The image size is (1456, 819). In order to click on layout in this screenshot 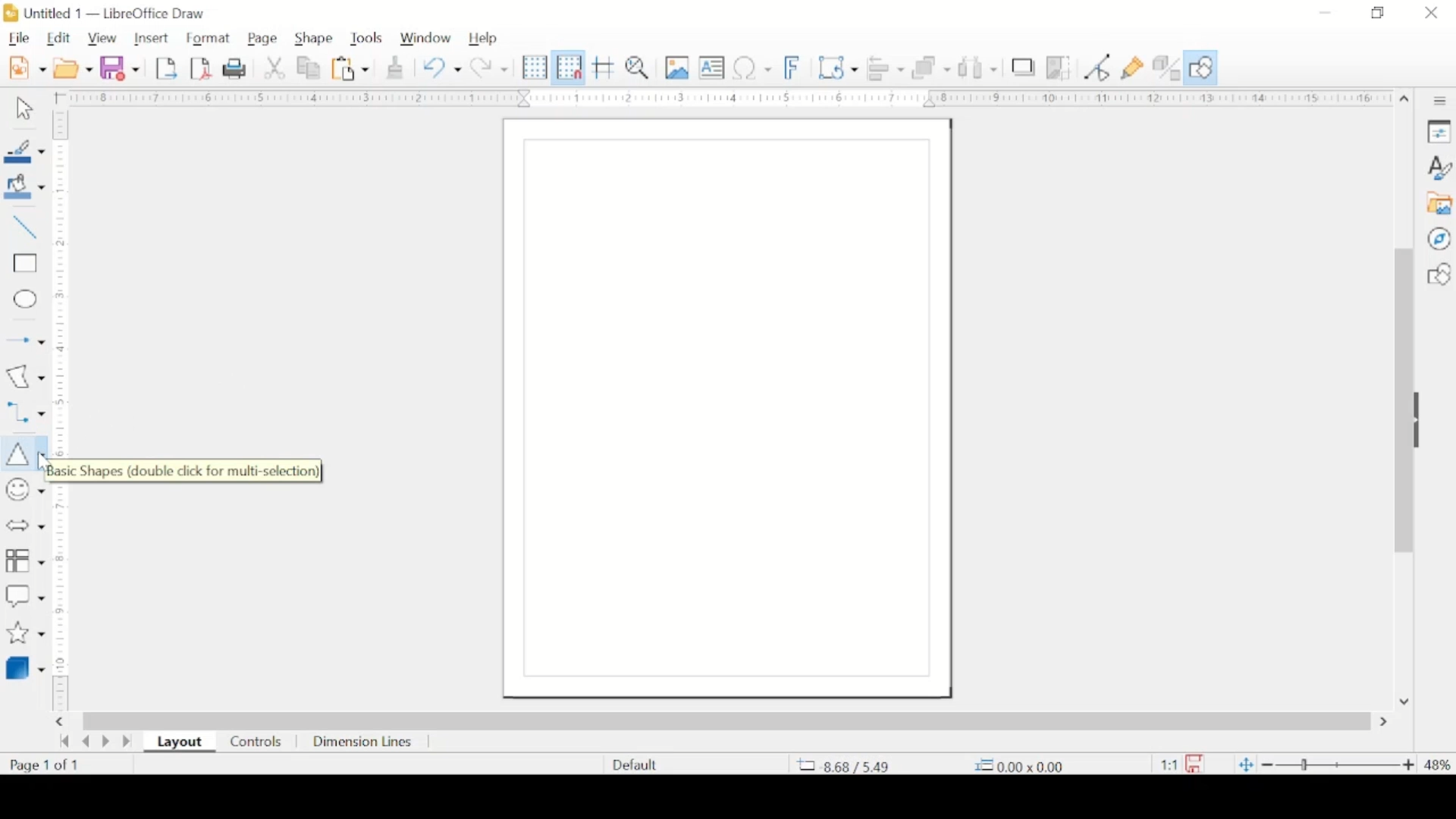, I will do `click(179, 742)`.